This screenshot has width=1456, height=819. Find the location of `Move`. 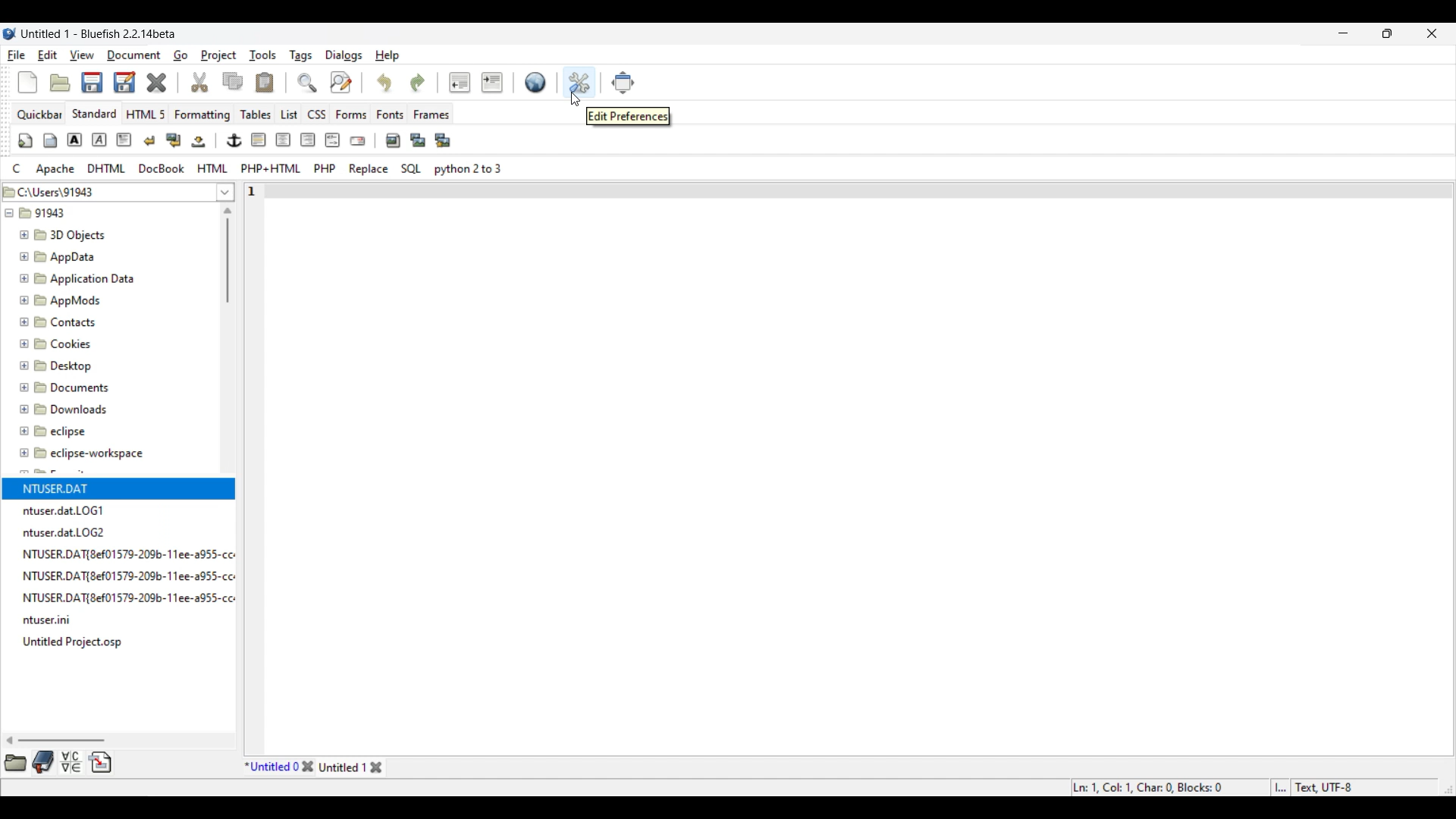

Move is located at coordinates (623, 83).